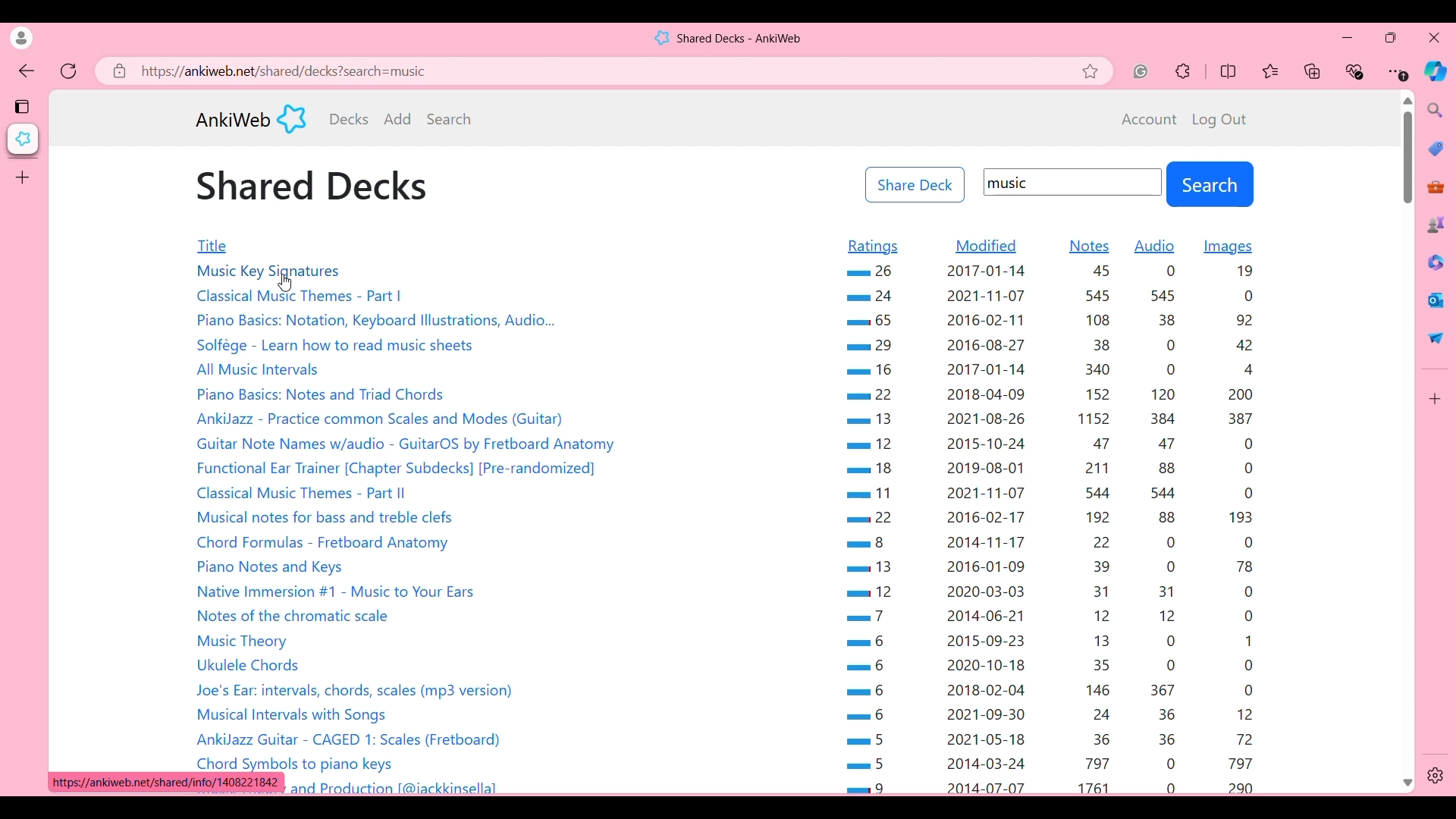 This screenshot has width=1456, height=819. I want to click on Classical Music Themes - Part Il, so click(304, 492).